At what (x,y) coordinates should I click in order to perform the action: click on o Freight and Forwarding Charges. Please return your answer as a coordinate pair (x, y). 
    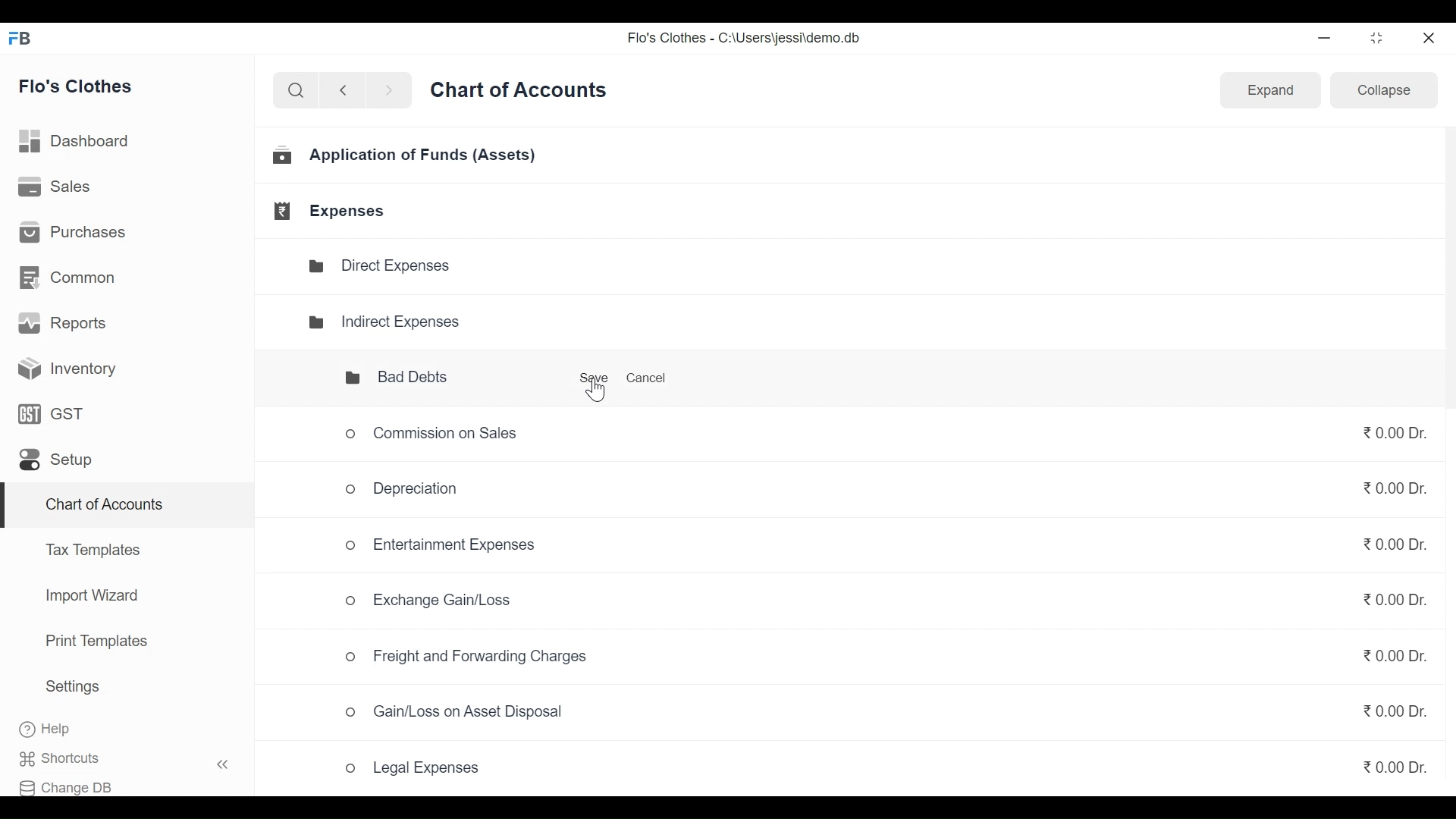
    Looking at the image, I should click on (463, 655).